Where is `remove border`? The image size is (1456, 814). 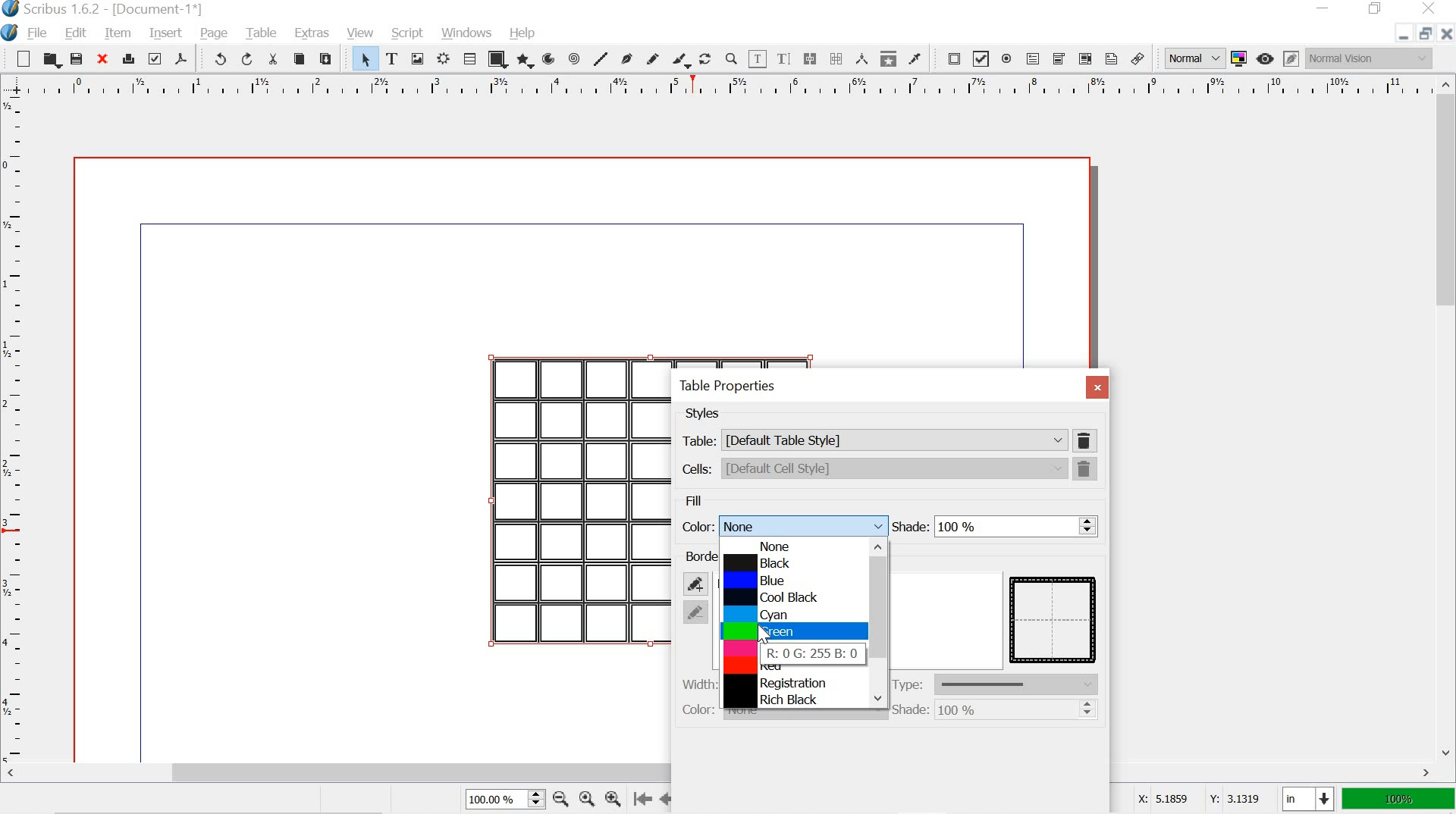 remove border is located at coordinates (696, 612).